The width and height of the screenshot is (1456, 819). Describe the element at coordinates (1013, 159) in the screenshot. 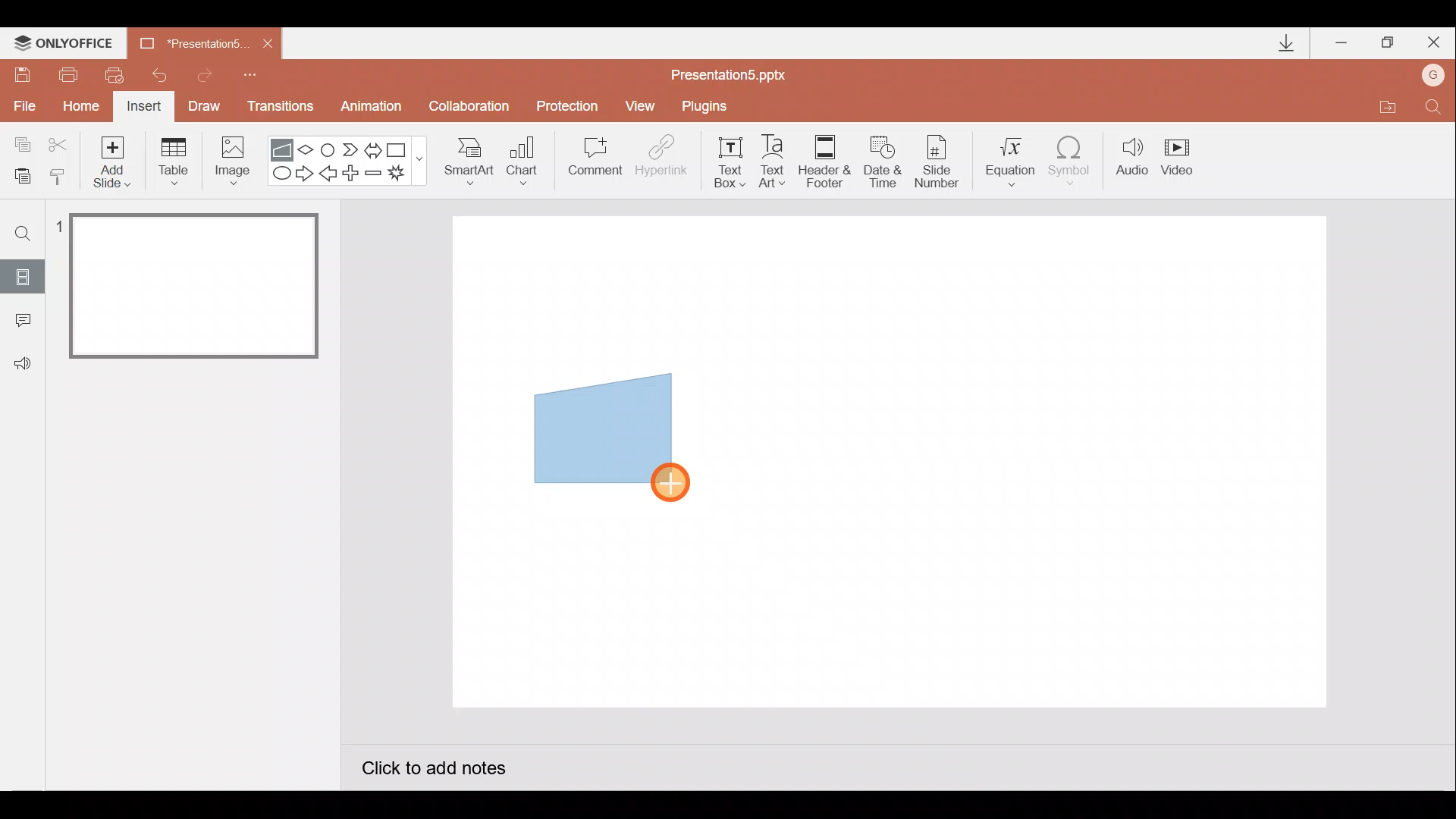

I see `Equation` at that location.